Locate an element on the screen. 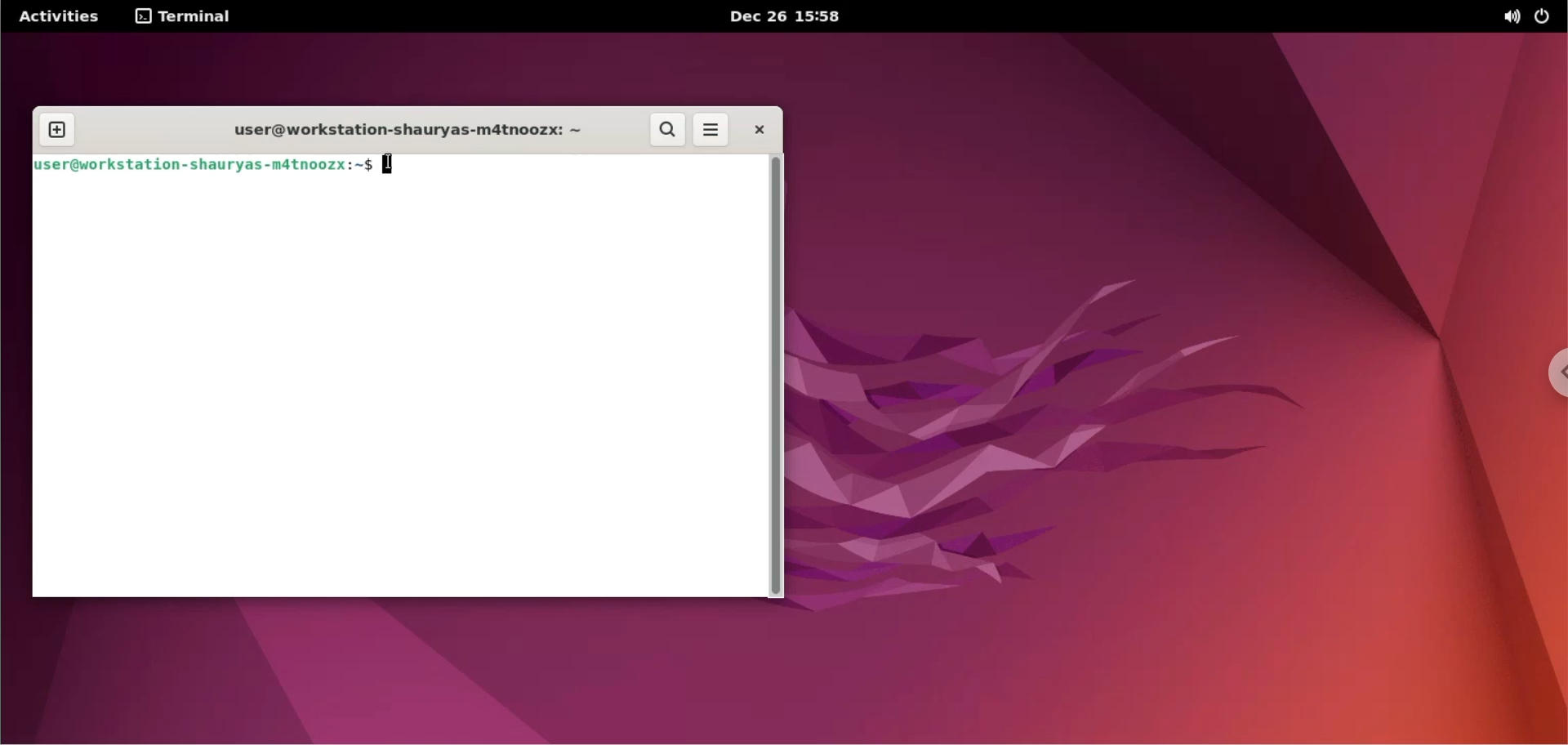  power options is located at coordinates (1543, 16).